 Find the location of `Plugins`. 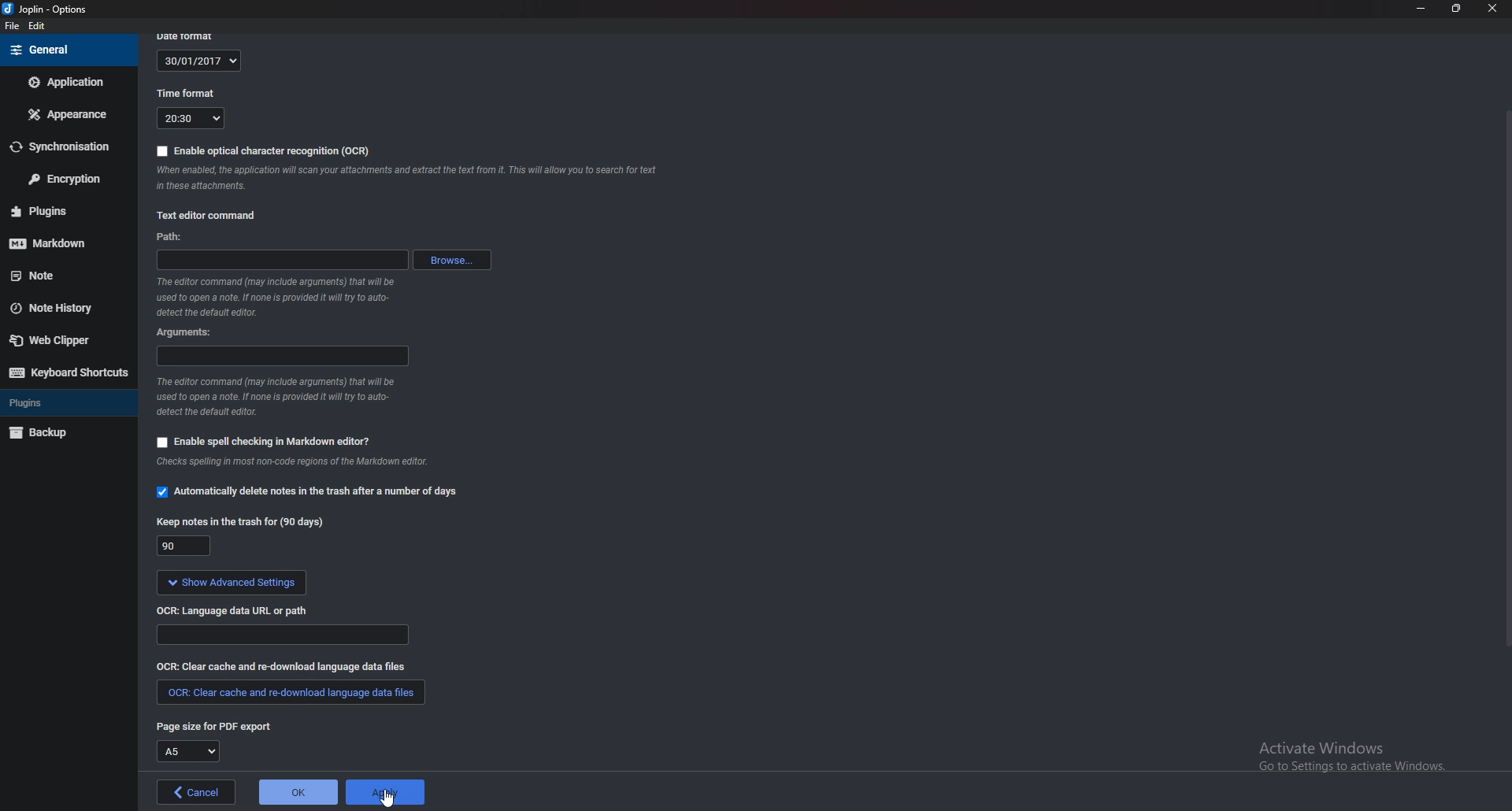

Plugins is located at coordinates (57, 402).